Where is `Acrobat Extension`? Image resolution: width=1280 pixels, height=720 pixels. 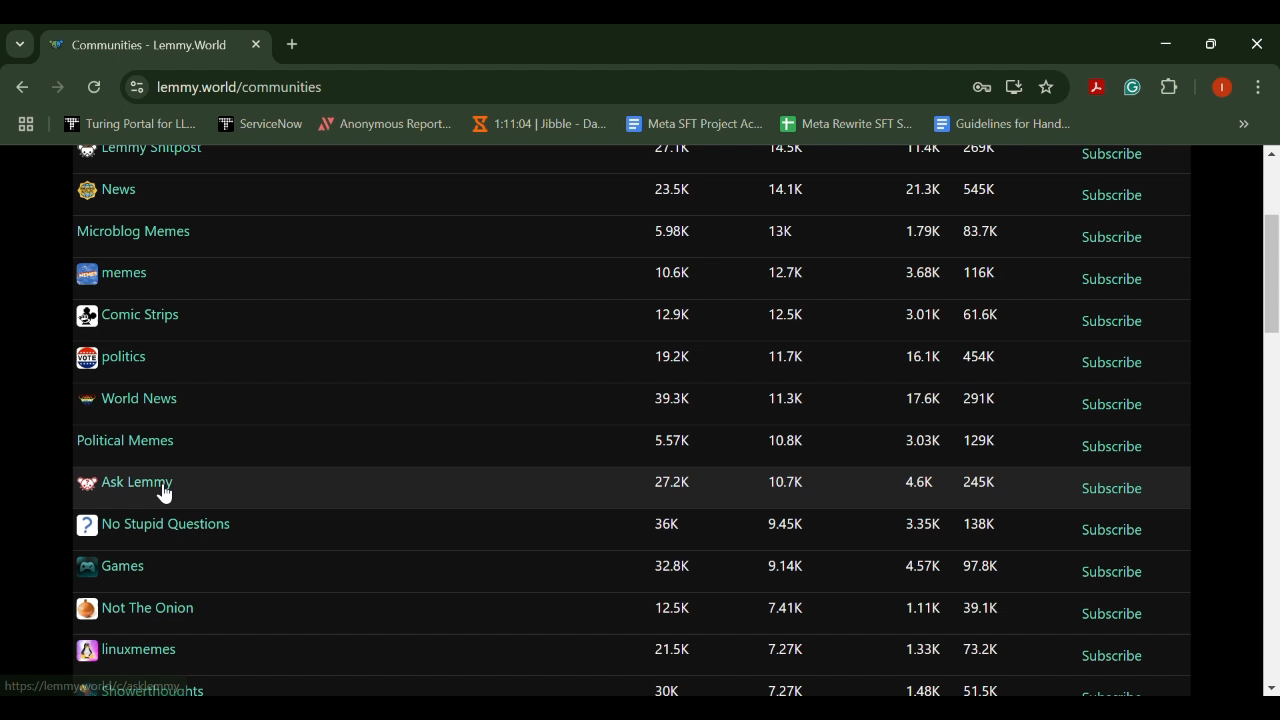
Acrobat Extension is located at coordinates (1096, 88).